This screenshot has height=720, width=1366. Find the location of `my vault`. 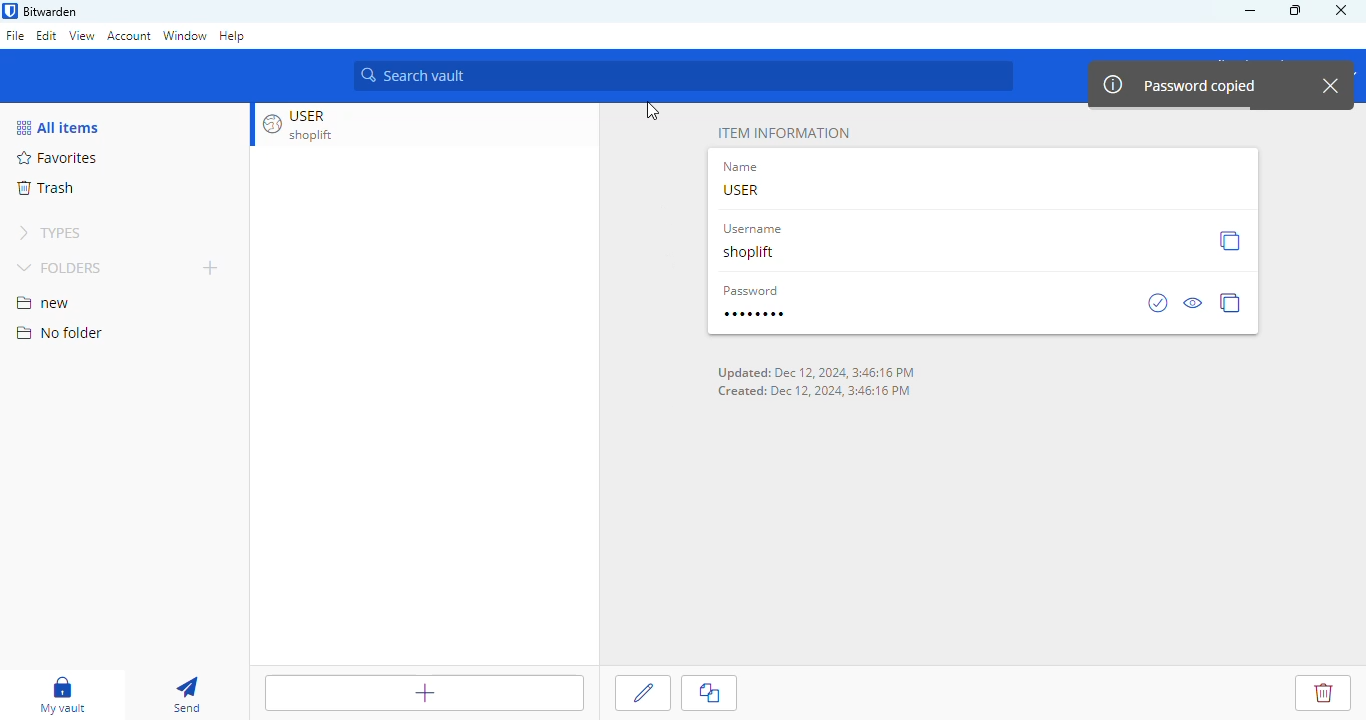

my vault is located at coordinates (62, 695).